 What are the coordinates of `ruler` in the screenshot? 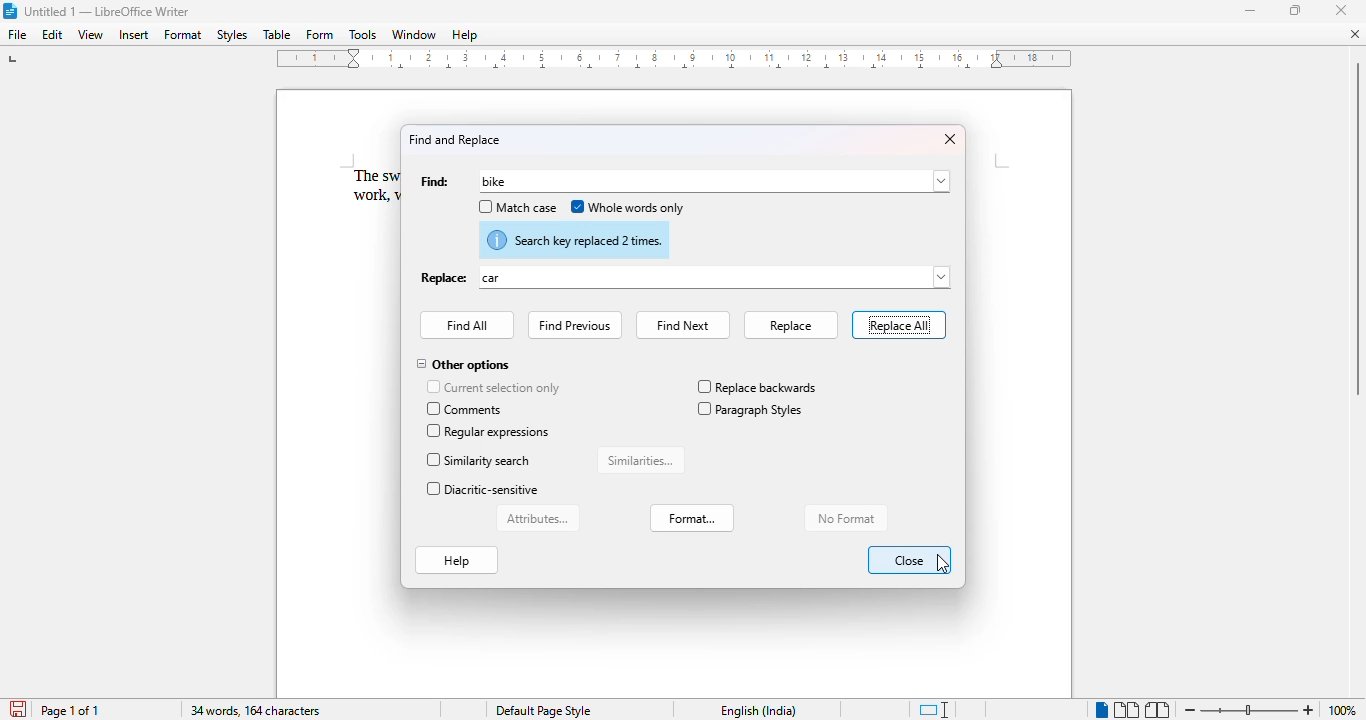 It's located at (675, 59).